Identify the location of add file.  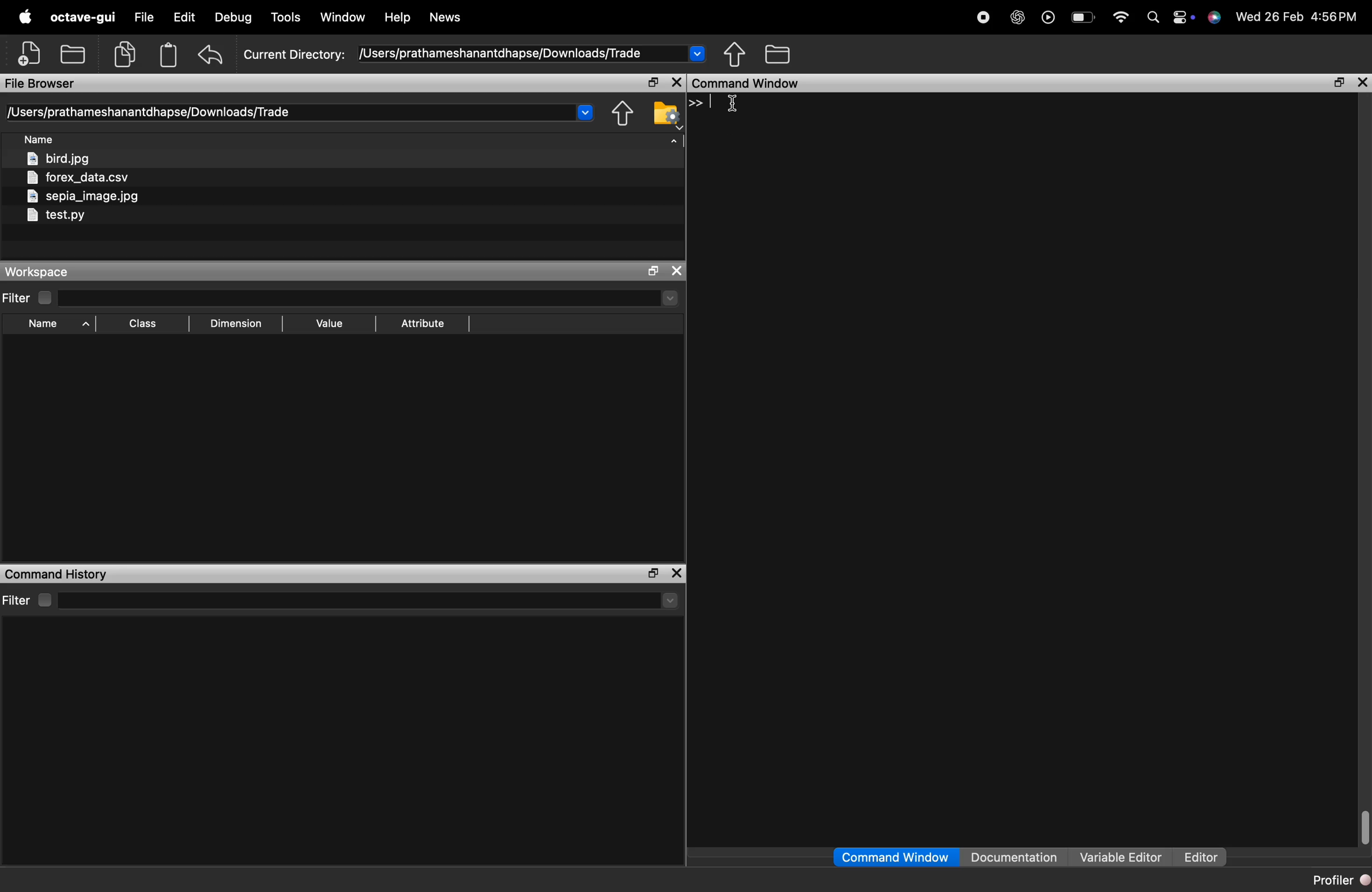
(31, 52).